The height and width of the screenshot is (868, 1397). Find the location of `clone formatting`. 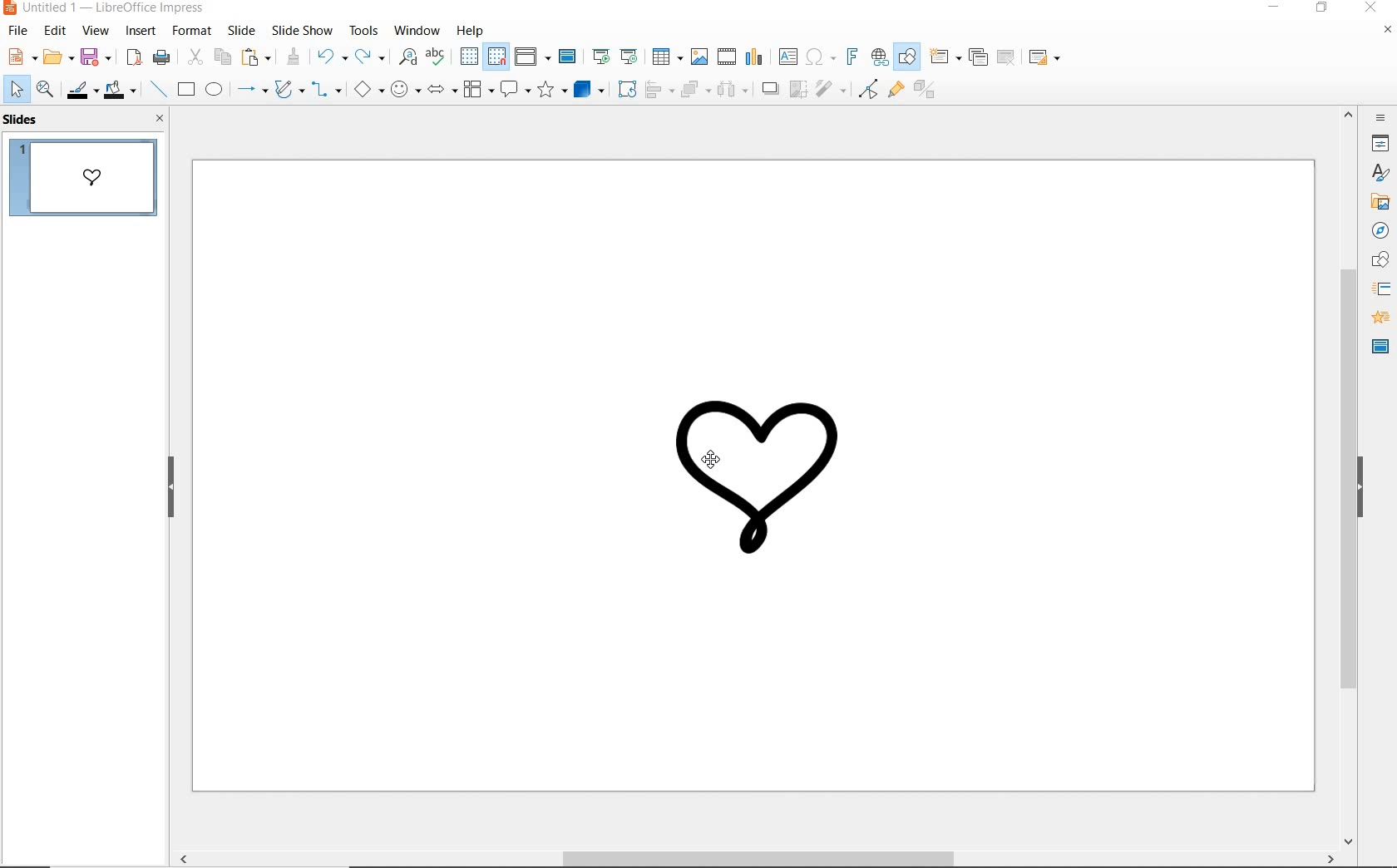

clone formatting is located at coordinates (292, 57).